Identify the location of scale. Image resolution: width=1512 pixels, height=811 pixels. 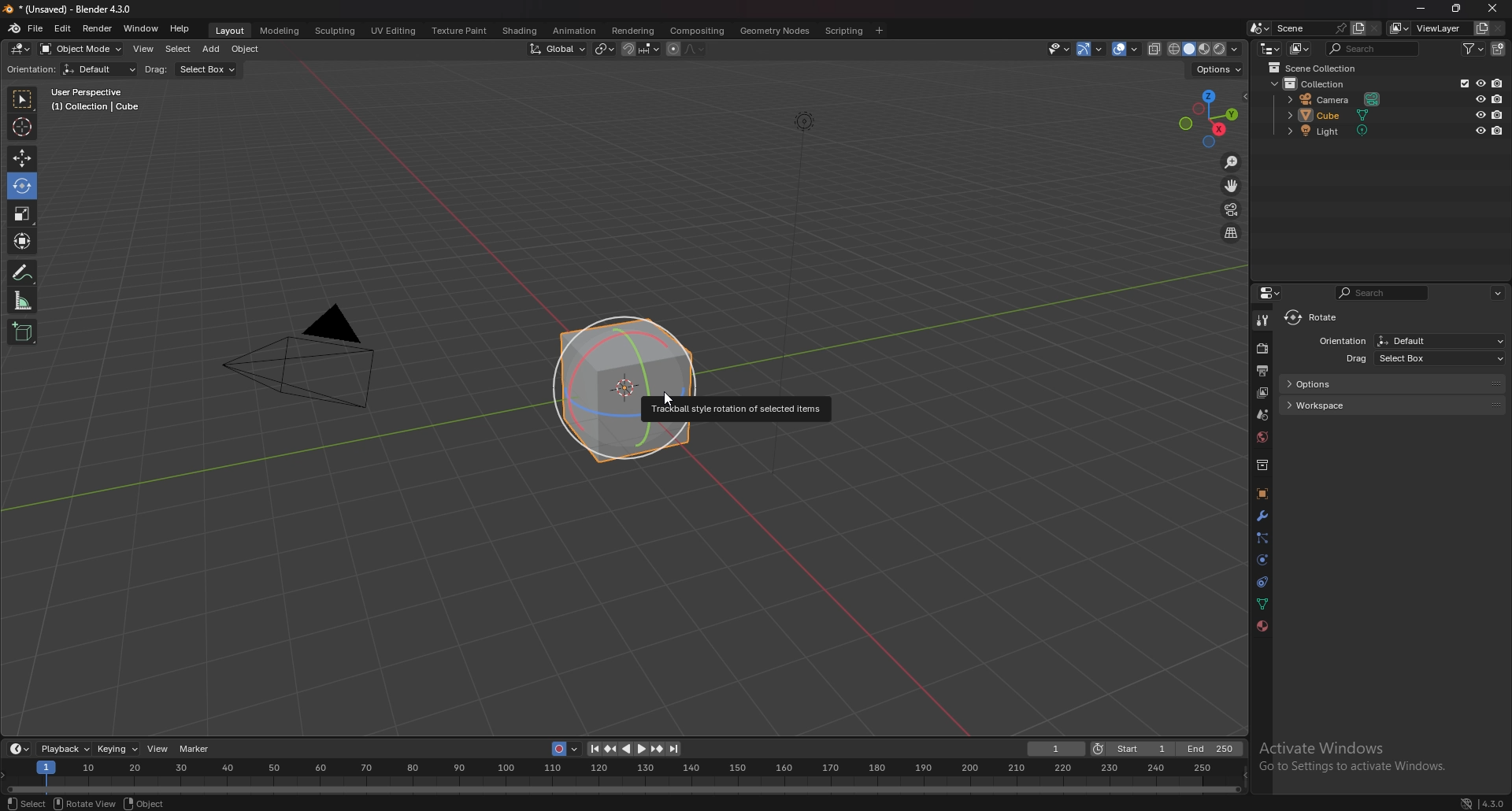
(22, 213).